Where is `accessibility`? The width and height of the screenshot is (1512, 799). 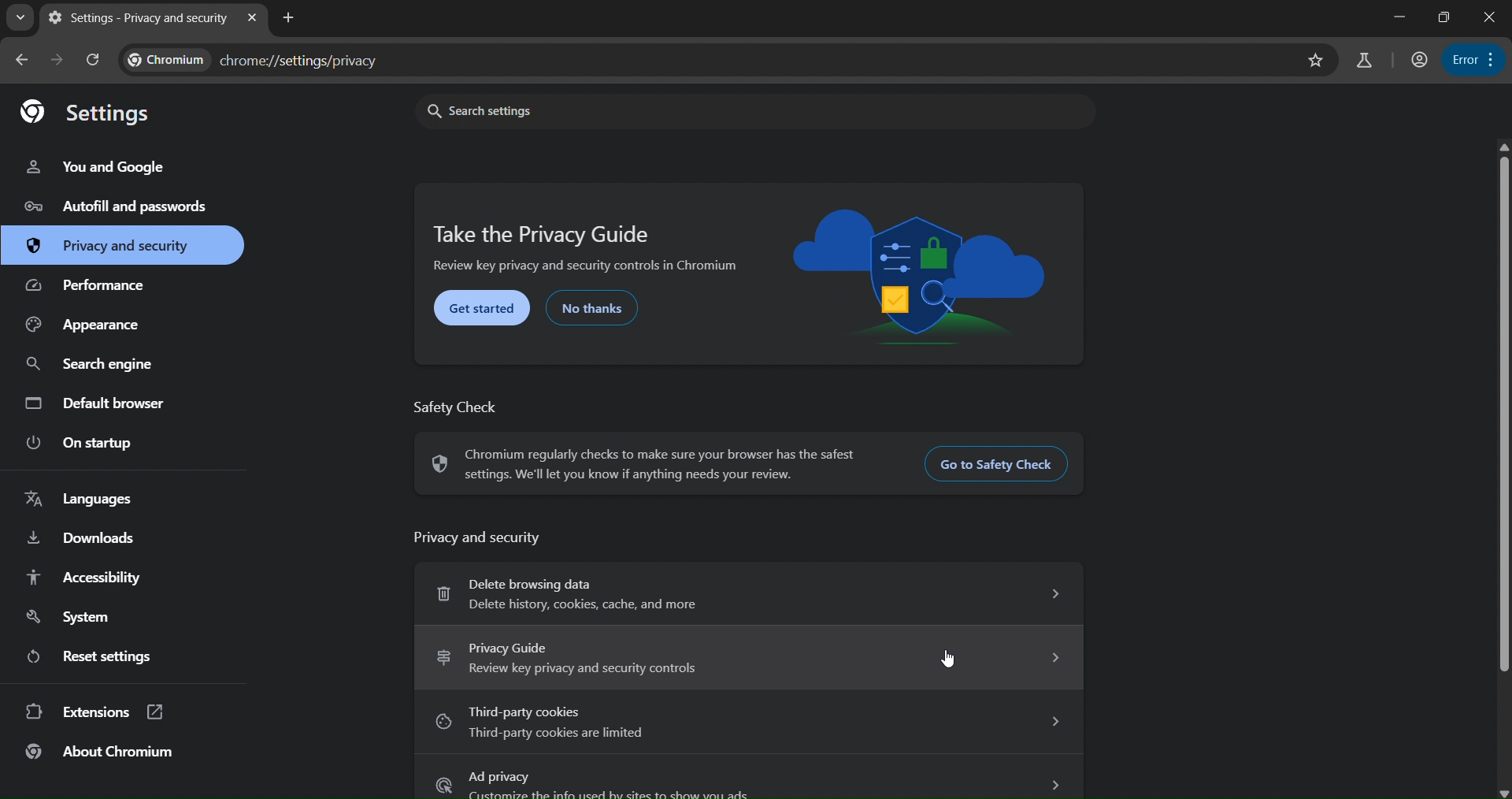
accessibility is located at coordinates (87, 575).